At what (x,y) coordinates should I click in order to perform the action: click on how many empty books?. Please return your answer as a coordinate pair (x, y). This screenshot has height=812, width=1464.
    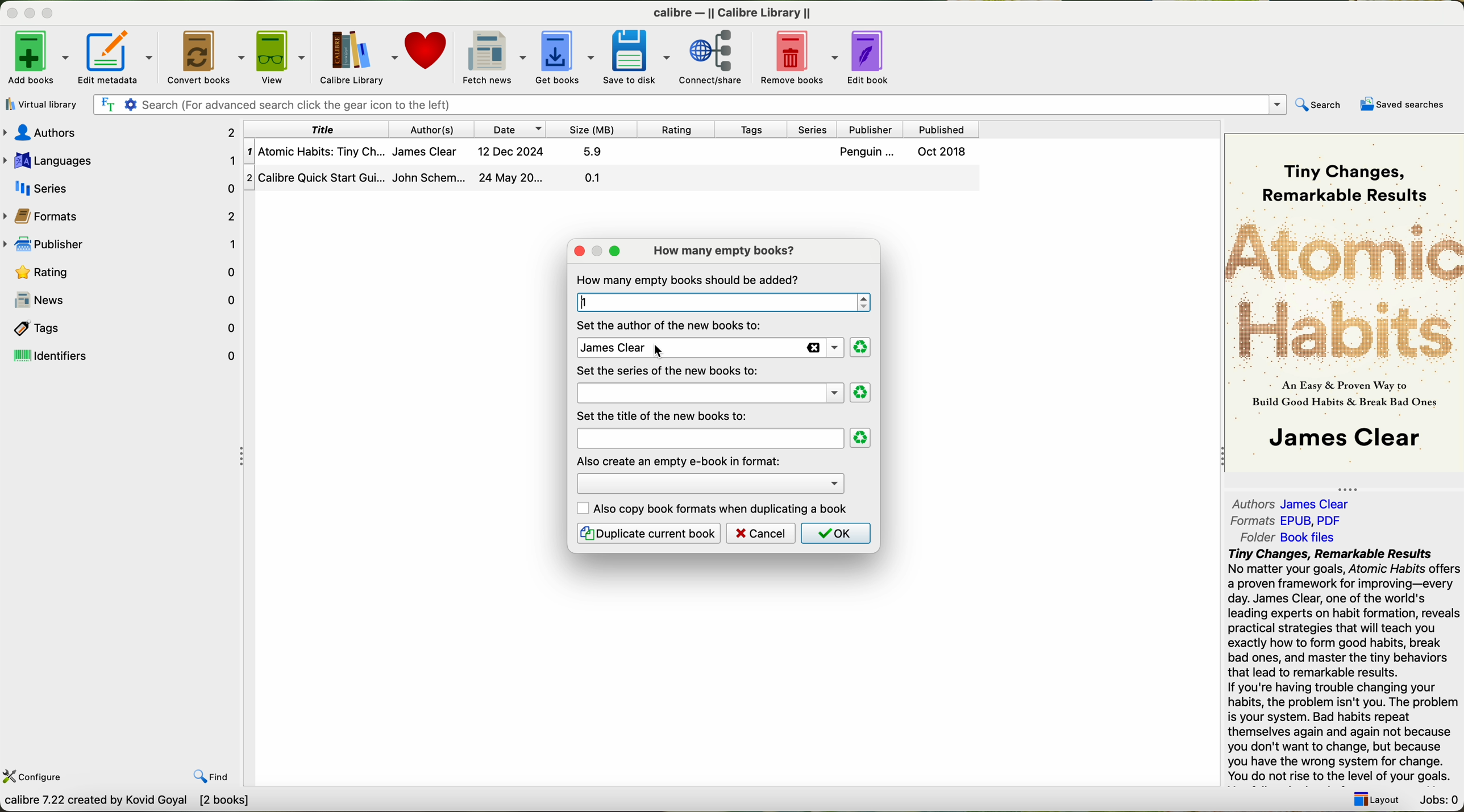
    Looking at the image, I should click on (727, 251).